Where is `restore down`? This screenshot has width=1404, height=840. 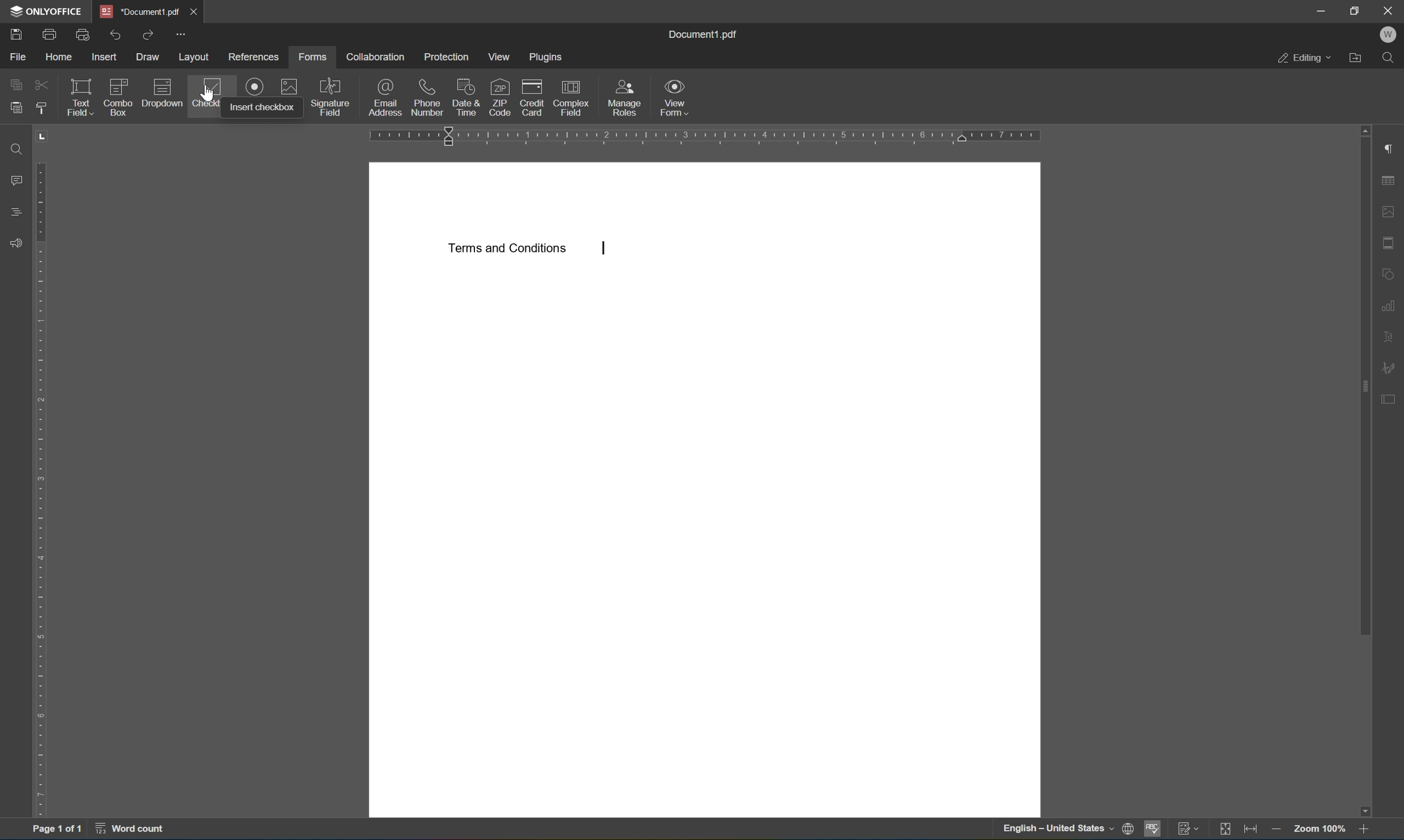
restore down is located at coordinates (1359, 10).